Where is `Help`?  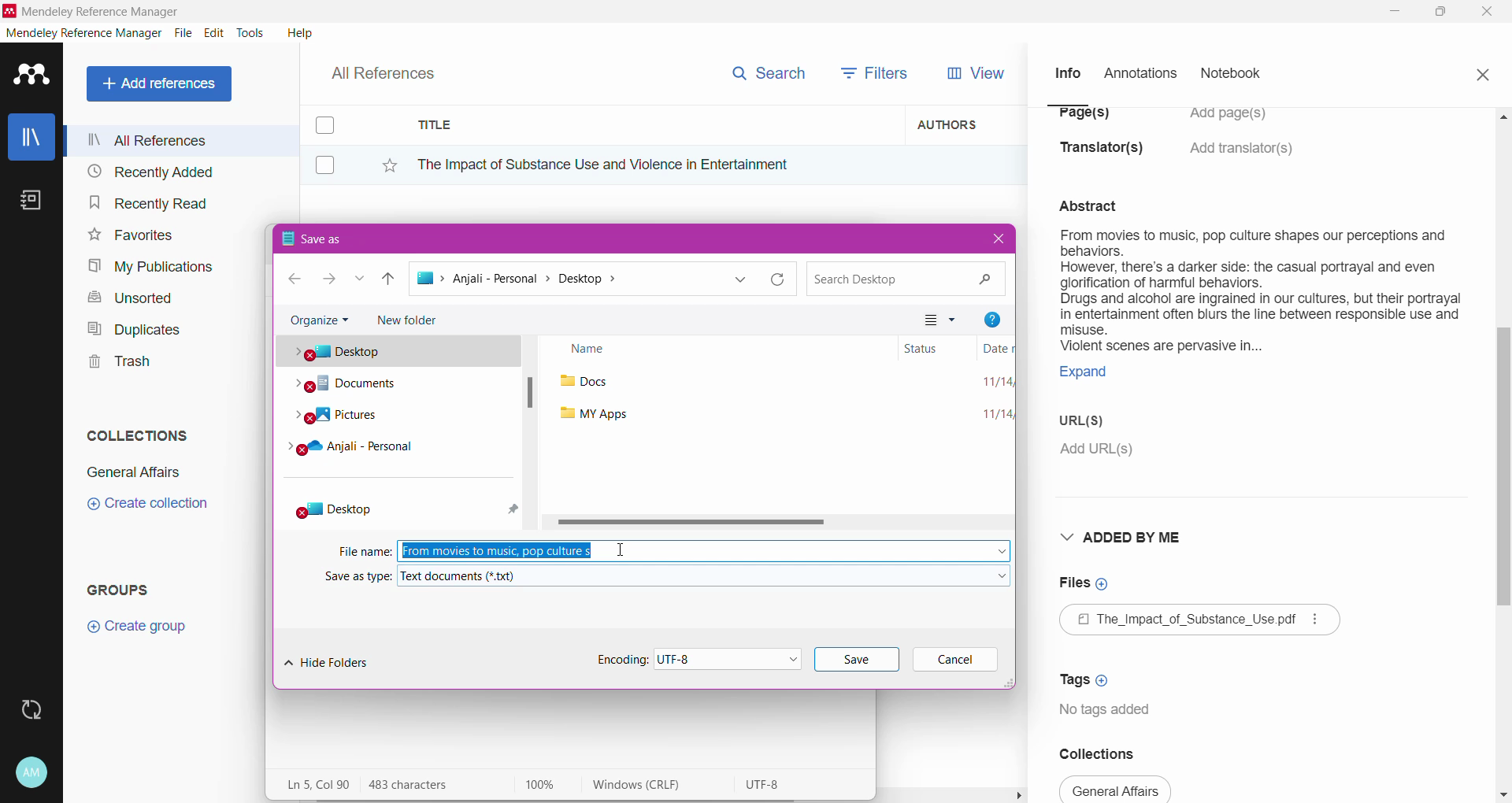
Help is located at coordinates (991, 317).